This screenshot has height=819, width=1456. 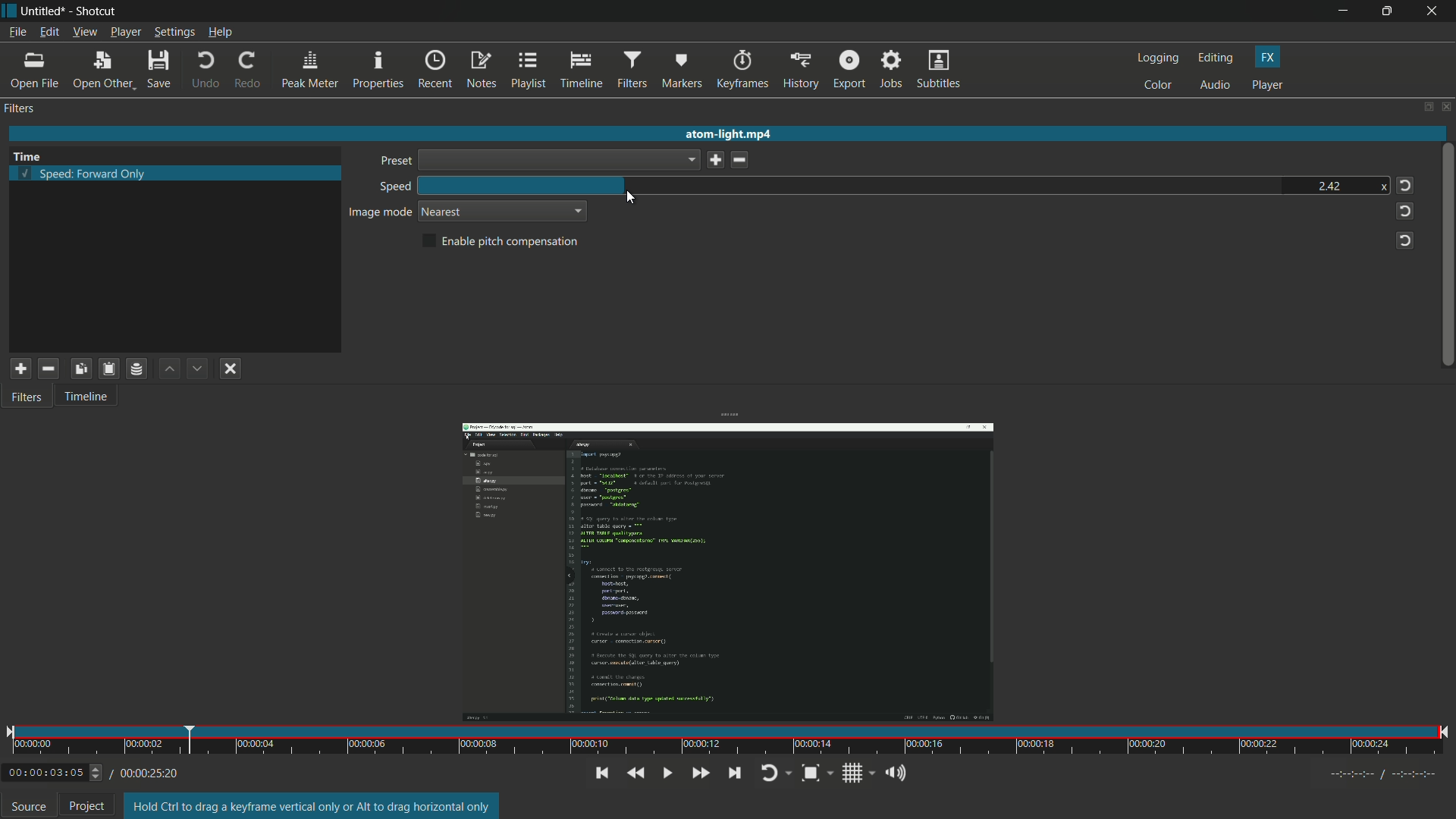 I want to click on Timeline, so click(x=94, y=399).